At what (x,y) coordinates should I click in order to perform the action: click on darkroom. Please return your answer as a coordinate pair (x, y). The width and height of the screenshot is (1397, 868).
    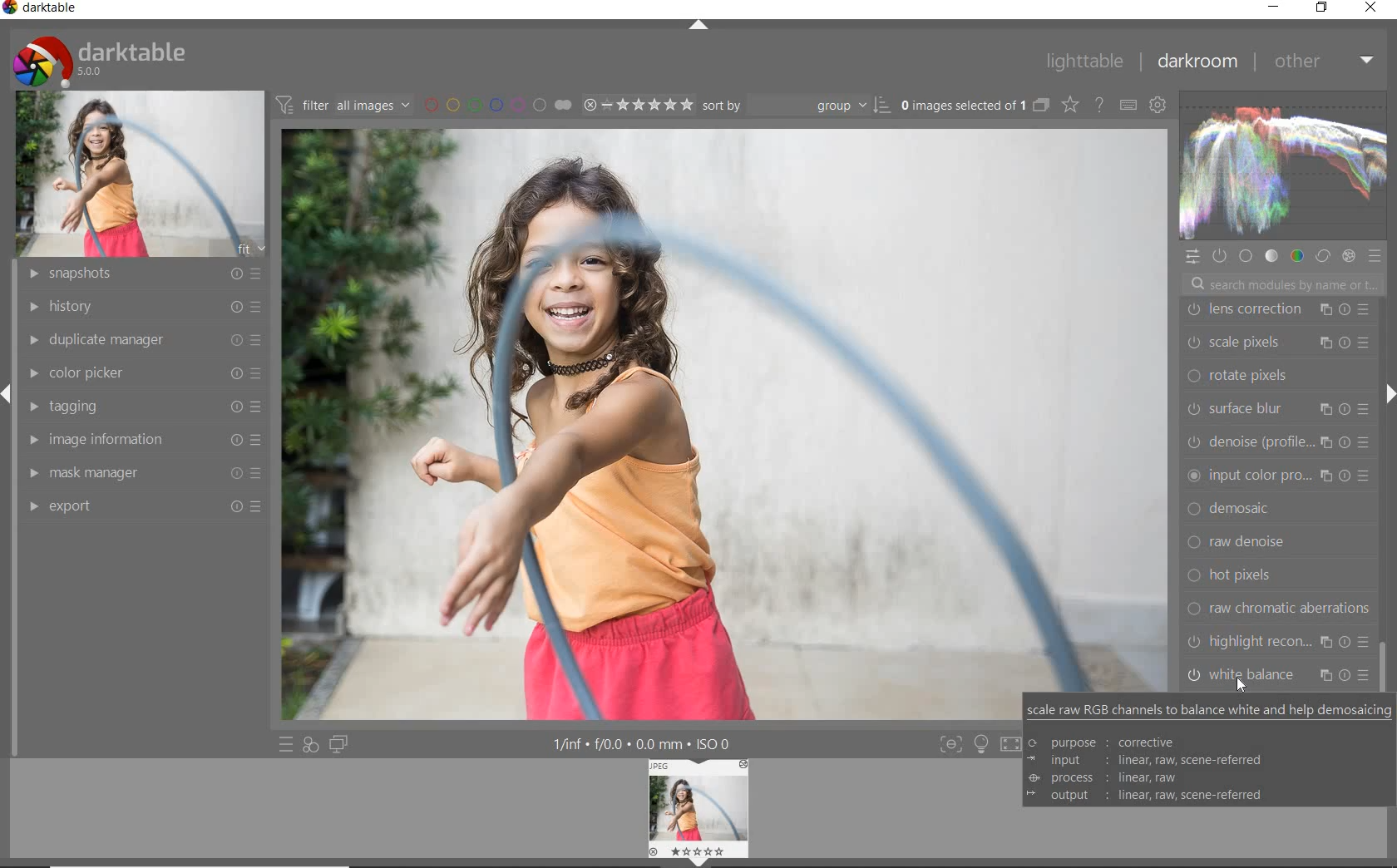
    Looking at the image, I should click on (1200, 62).